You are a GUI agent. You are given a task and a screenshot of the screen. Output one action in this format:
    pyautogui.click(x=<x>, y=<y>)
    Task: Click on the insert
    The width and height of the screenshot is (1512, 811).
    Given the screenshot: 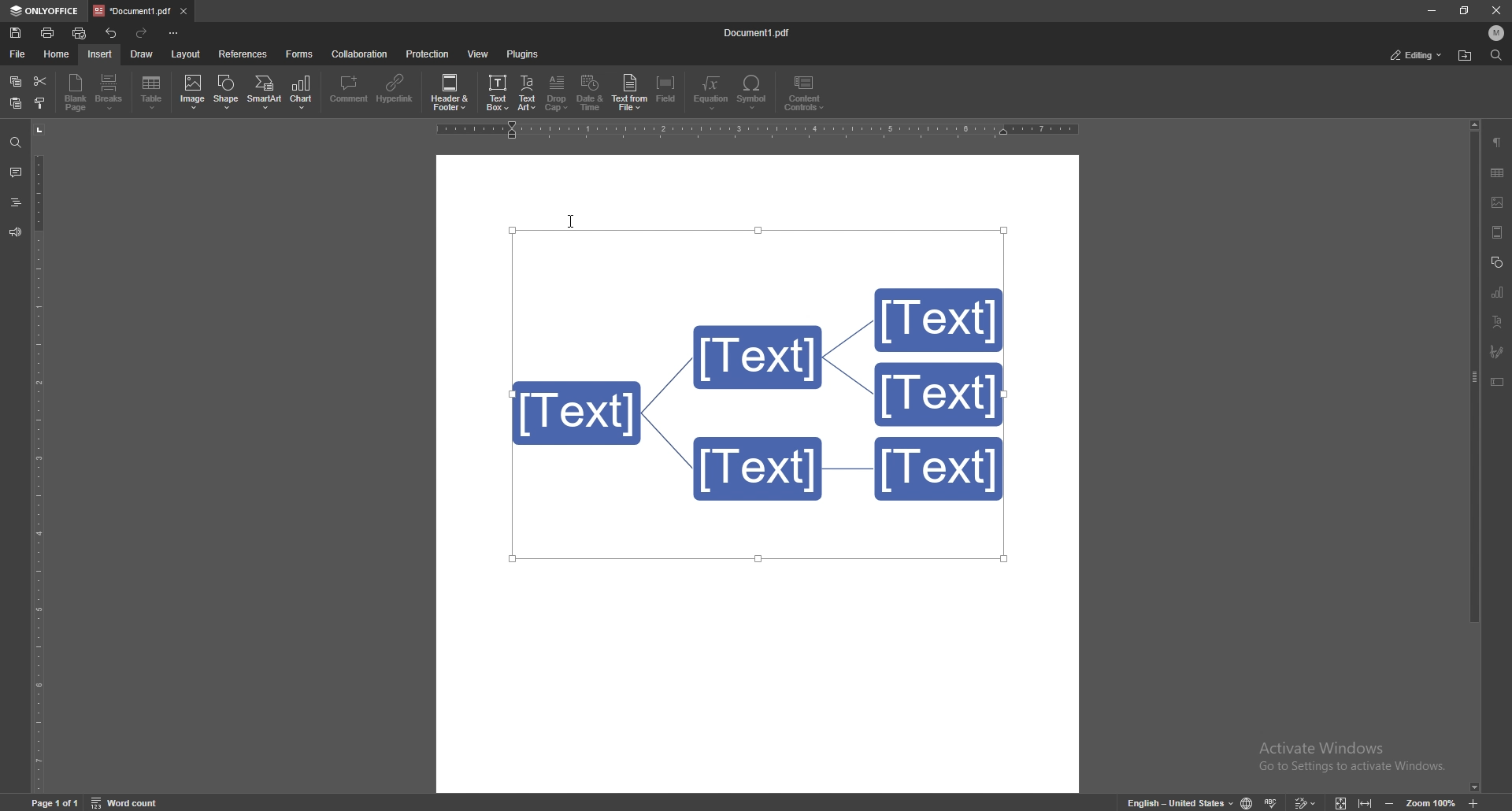 What is the action you would take?
    pyautogui.click(x=100, y=54)
    